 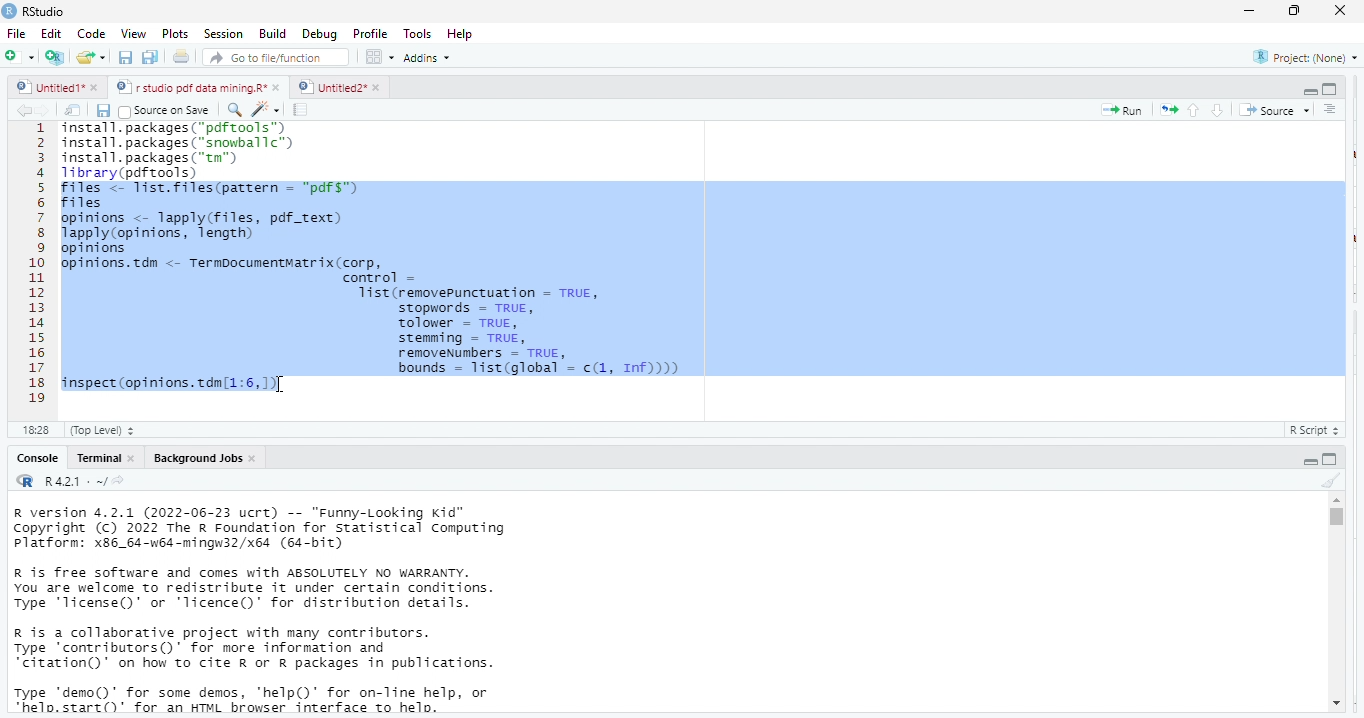 I want to click on go to next section/chunk, so click(x=1219, y=110).